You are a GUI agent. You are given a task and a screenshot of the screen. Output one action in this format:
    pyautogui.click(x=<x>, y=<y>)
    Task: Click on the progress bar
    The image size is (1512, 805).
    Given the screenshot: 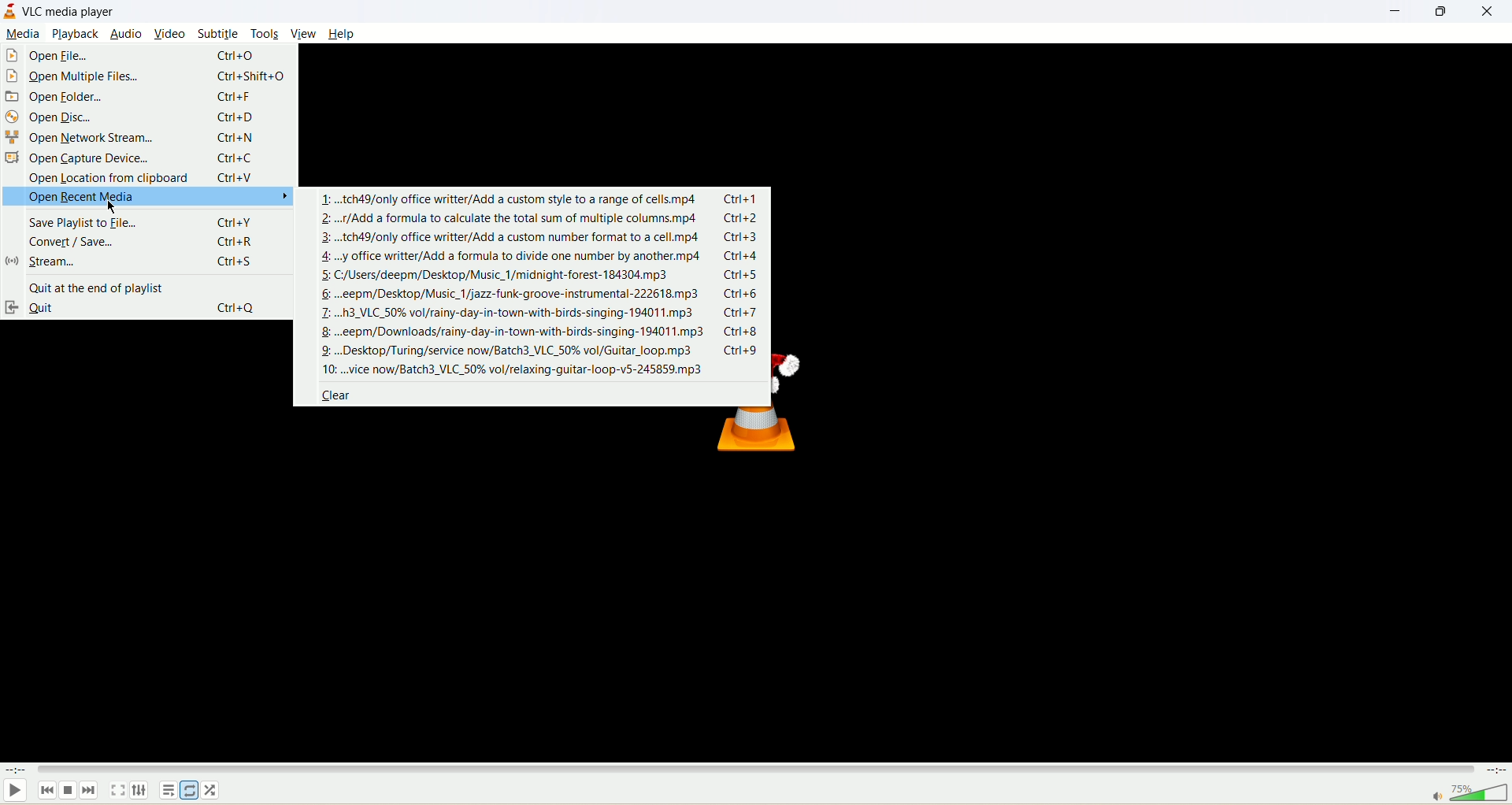 What is the action you would take?
    pyautogui.click(x=757, y=768)
    